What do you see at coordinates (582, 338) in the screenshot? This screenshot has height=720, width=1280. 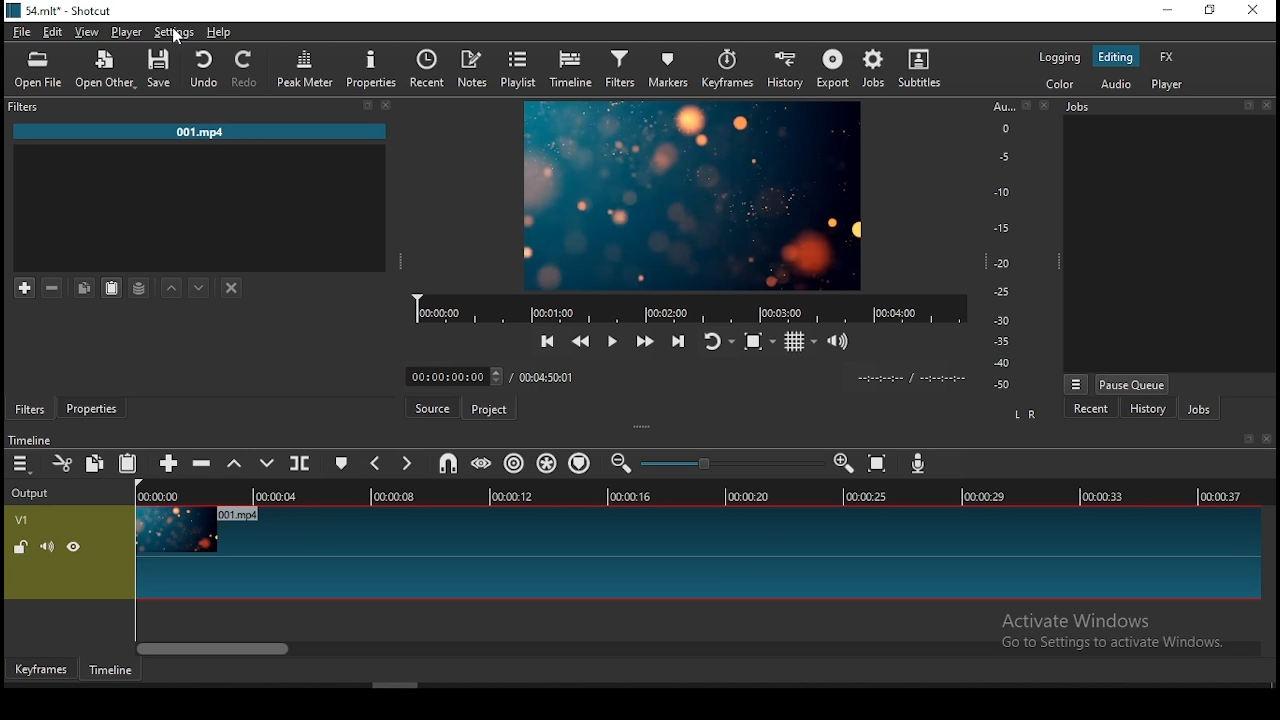 I see `play quickly backwards` at bounding box center [582, 338].